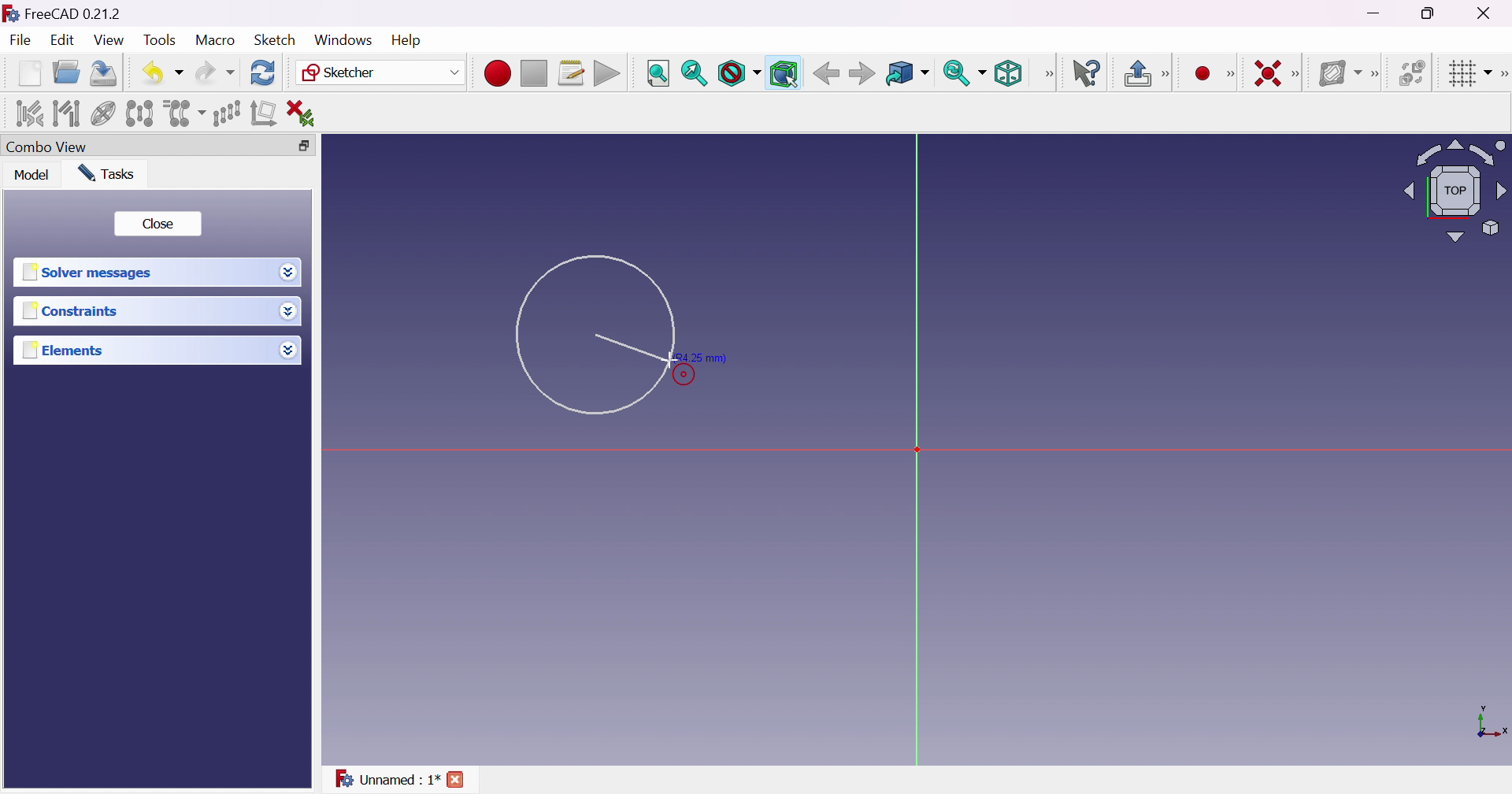 The height and width of the screenshot is (794, 1512). I want to click on Drop down, so click(288, 274).